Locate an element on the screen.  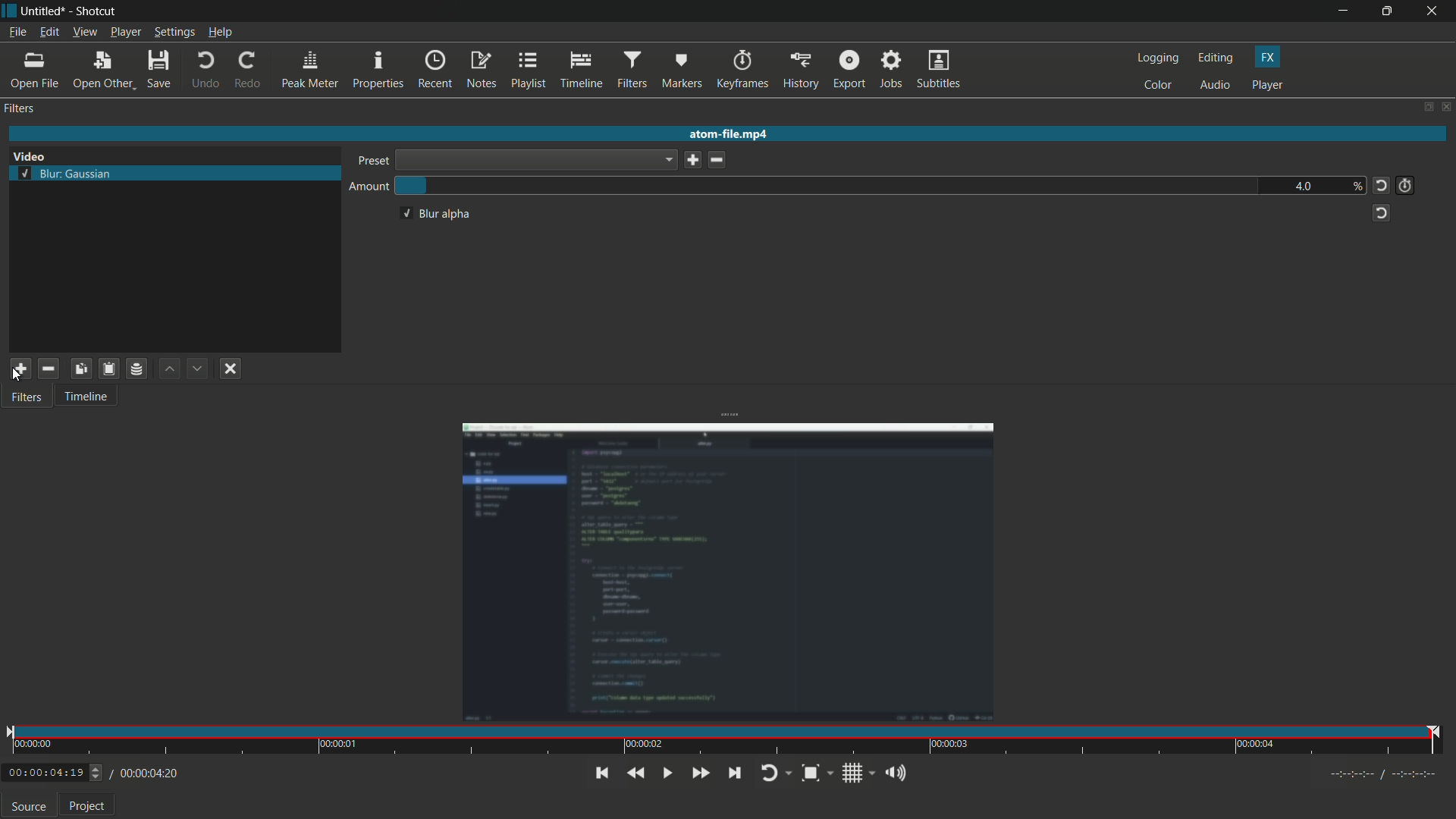
move filter down is located at coordinates (199, 369).